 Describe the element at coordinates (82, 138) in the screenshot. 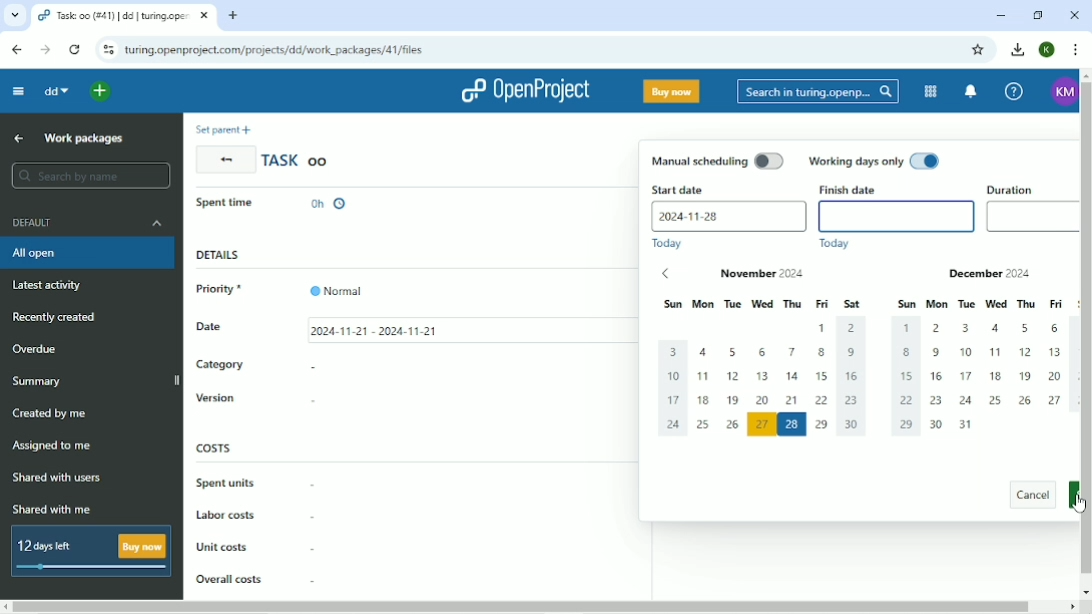

I see `Work packages` at that location.